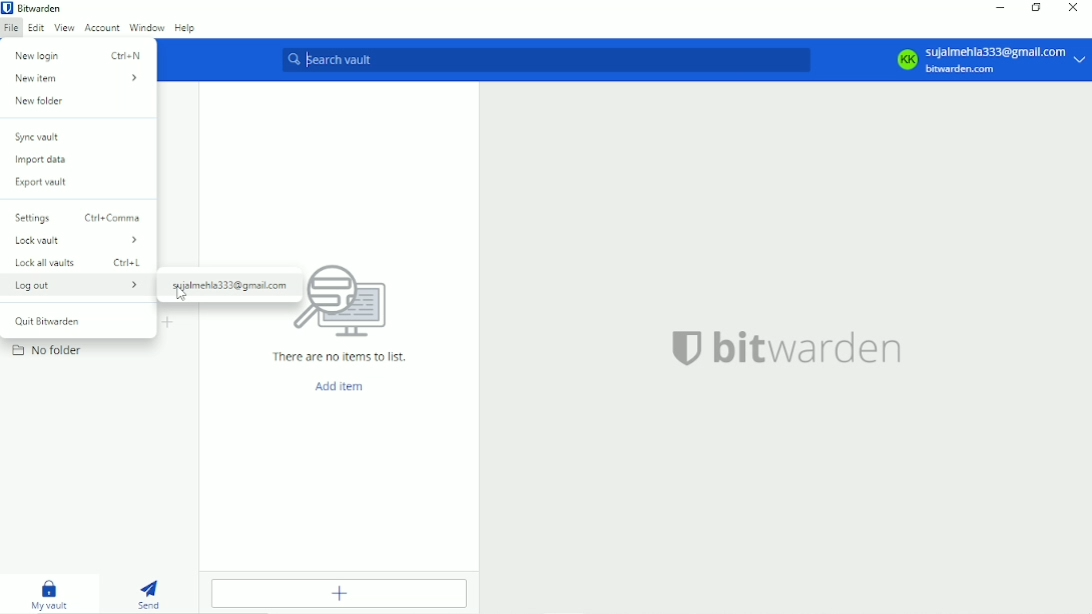 This screenshot has width=1092, height=614. I want to click on Syne vault, so click(39, 137).